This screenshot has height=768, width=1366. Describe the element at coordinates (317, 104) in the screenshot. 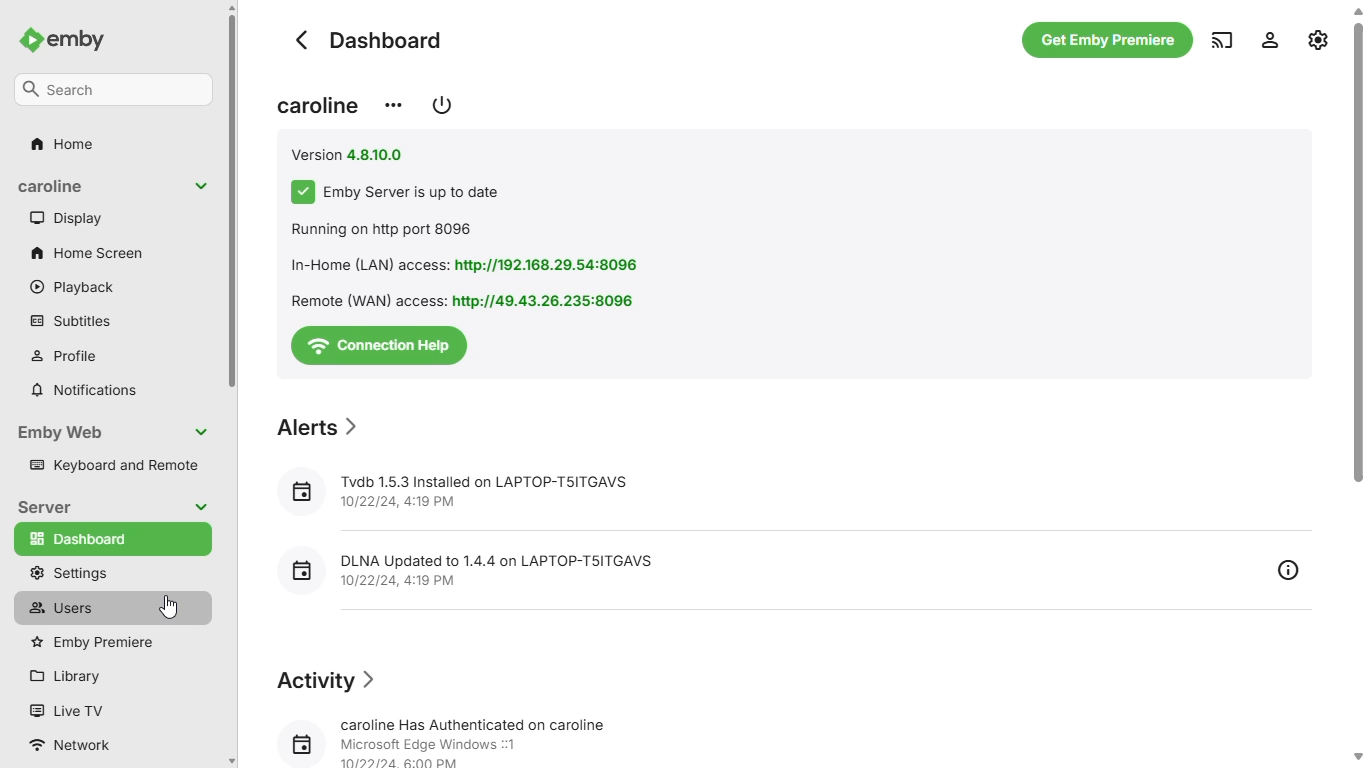

I see `display name` at that location.